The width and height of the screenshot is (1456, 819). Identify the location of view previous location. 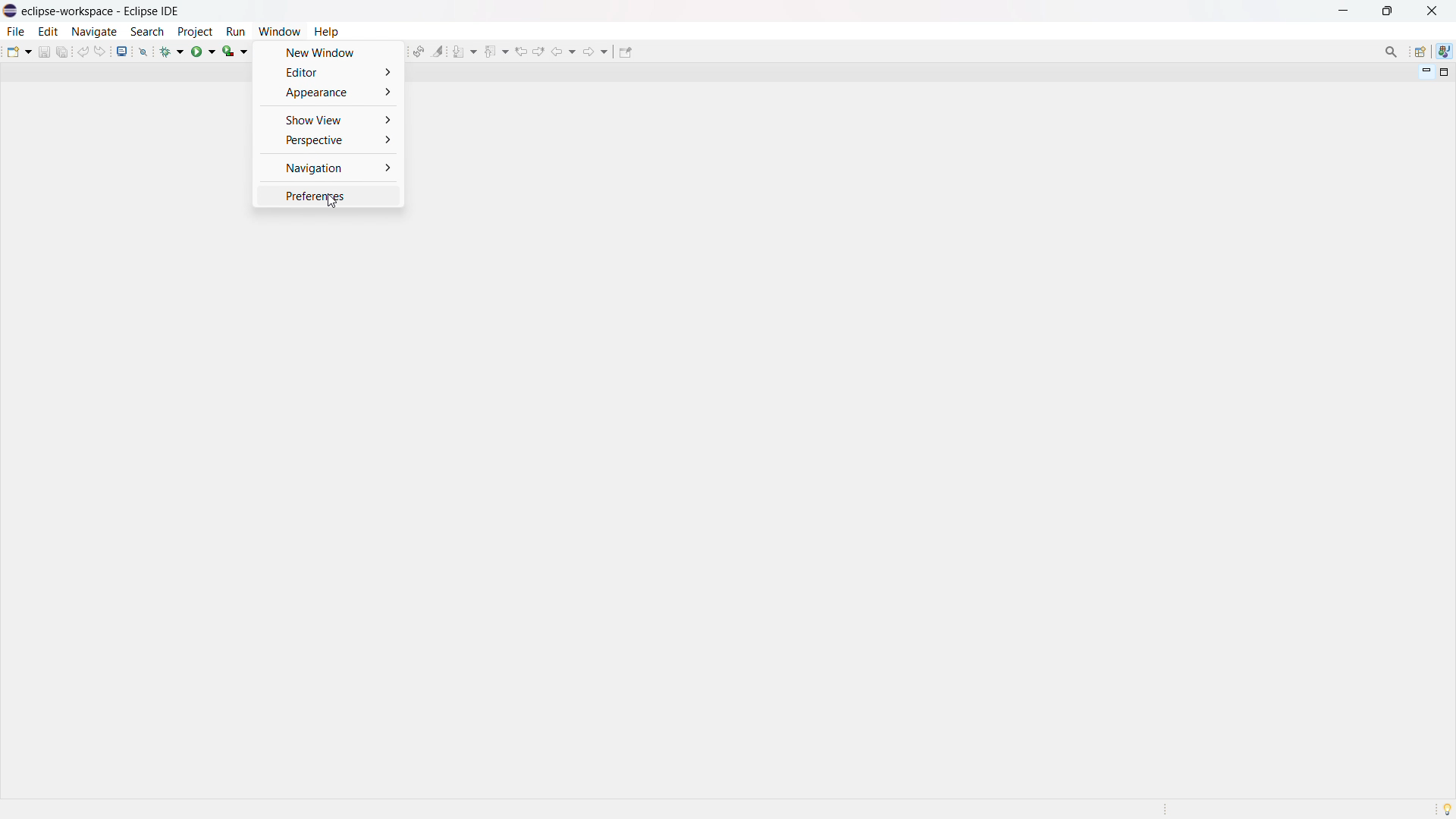
(521, 51).